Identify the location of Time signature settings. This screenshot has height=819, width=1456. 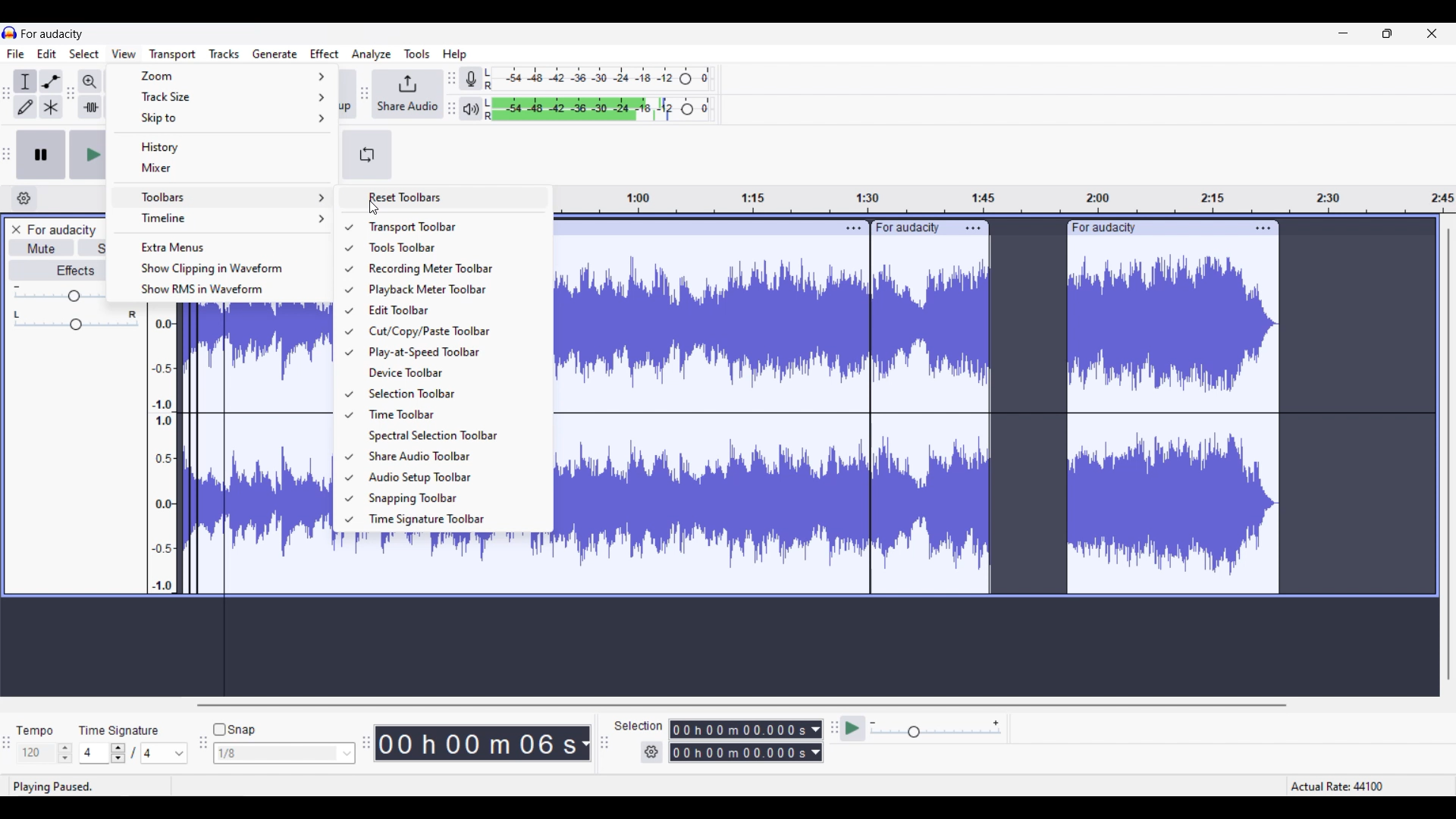
(134, 752).